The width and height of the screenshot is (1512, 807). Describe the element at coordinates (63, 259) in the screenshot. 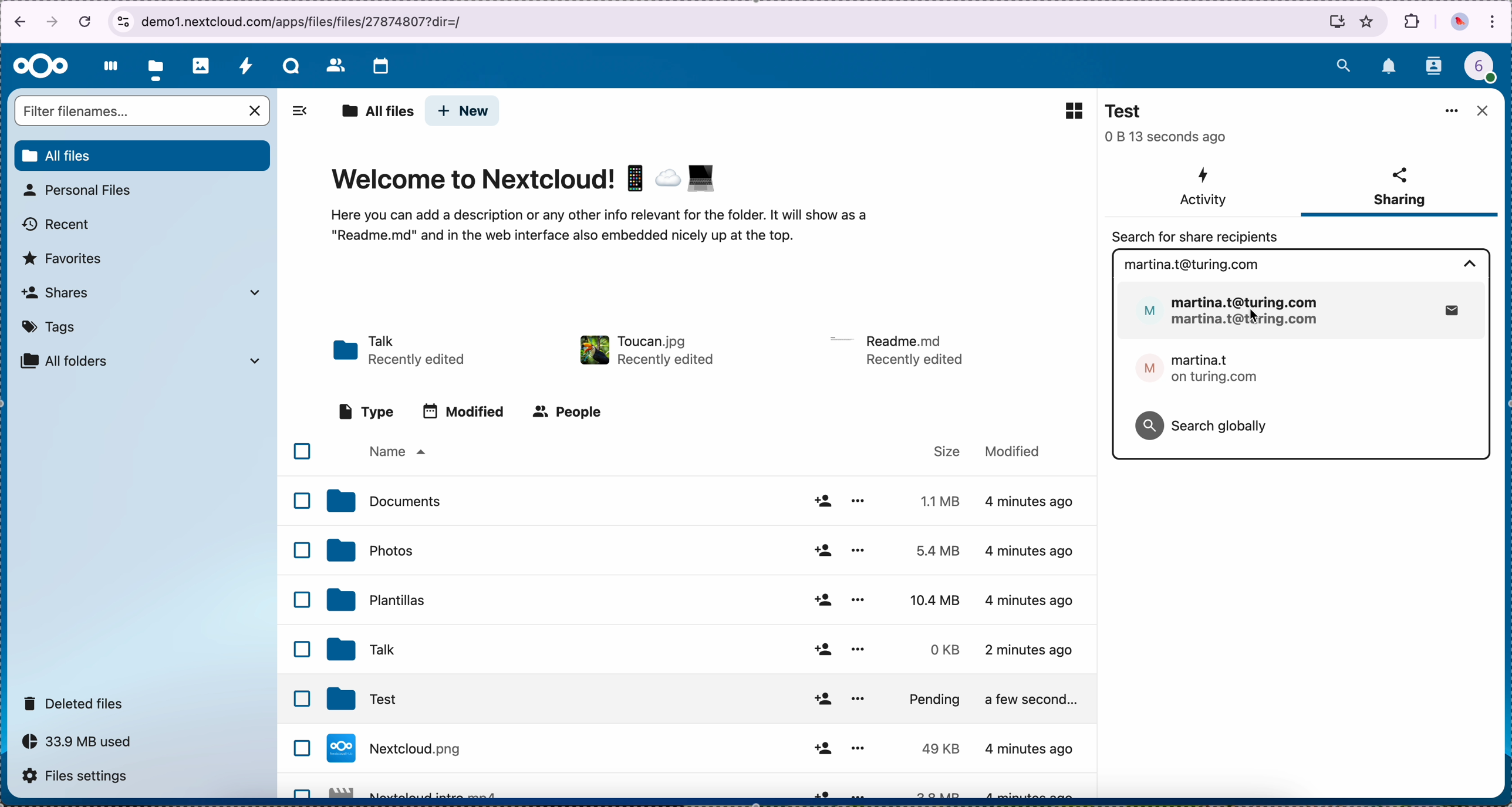

I see `favorites` at that location.